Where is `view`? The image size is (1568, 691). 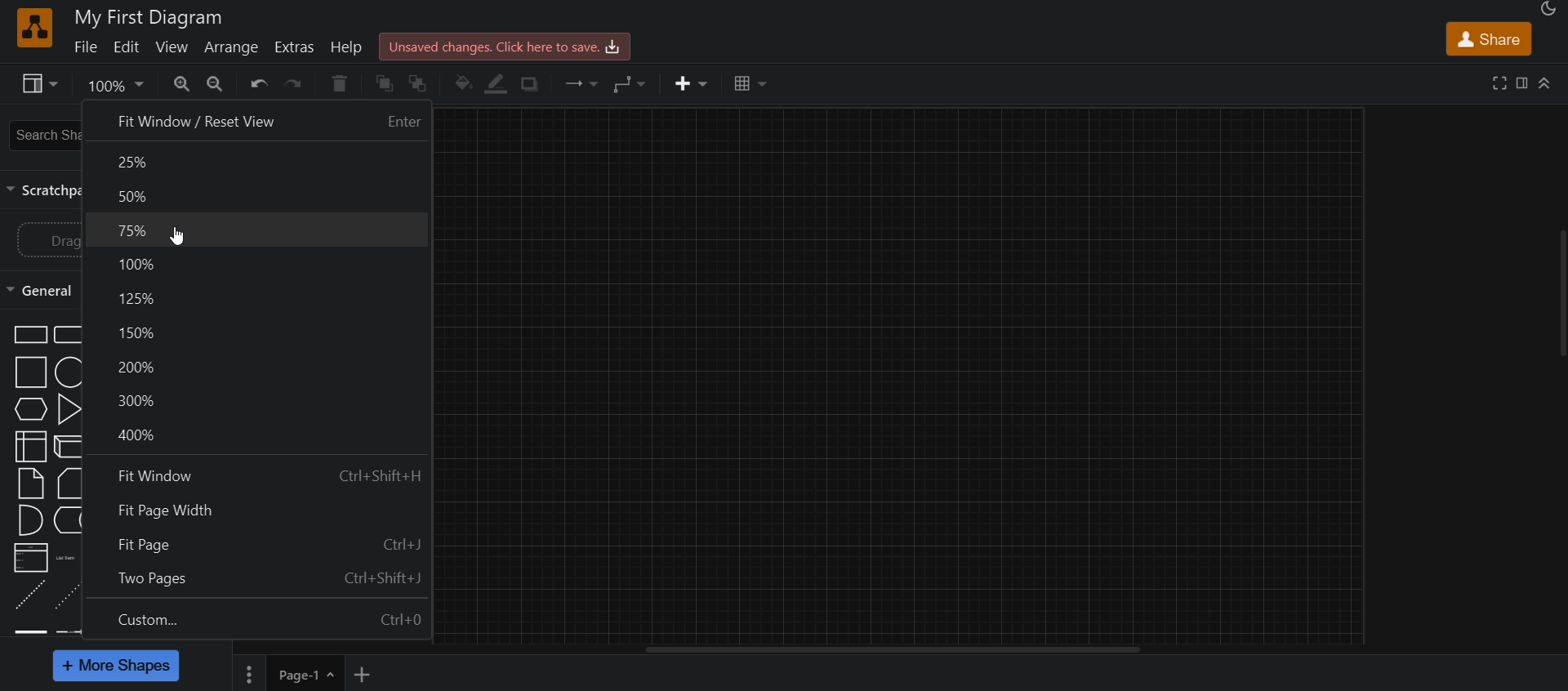 view is located at coordinates (37, 86).